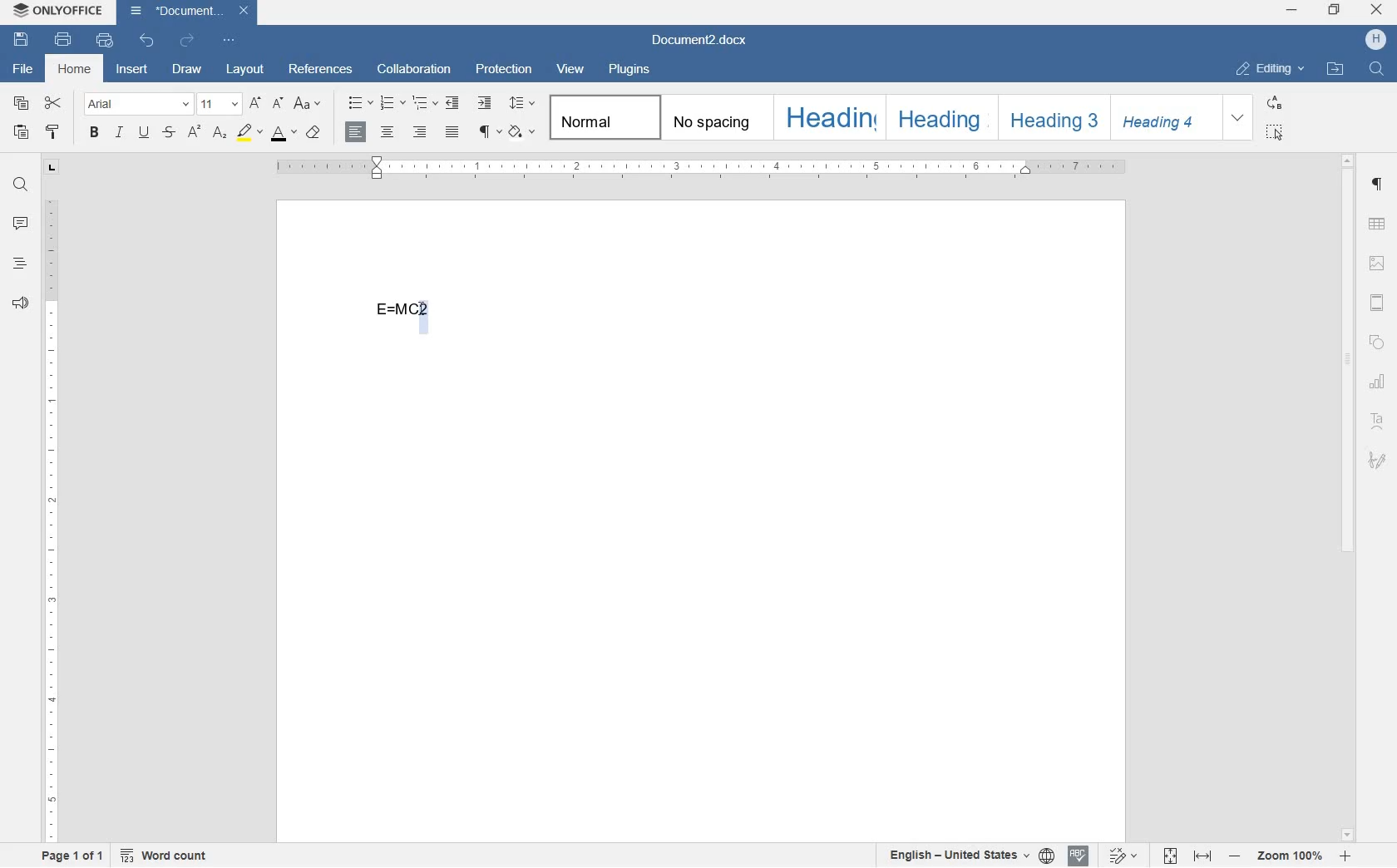 The height and width of the screenshot is (868, 1397). What do you see at coordinates (1379, 303) in the screenshot?
I see `header & footer` at bounding box center [1379, 303].